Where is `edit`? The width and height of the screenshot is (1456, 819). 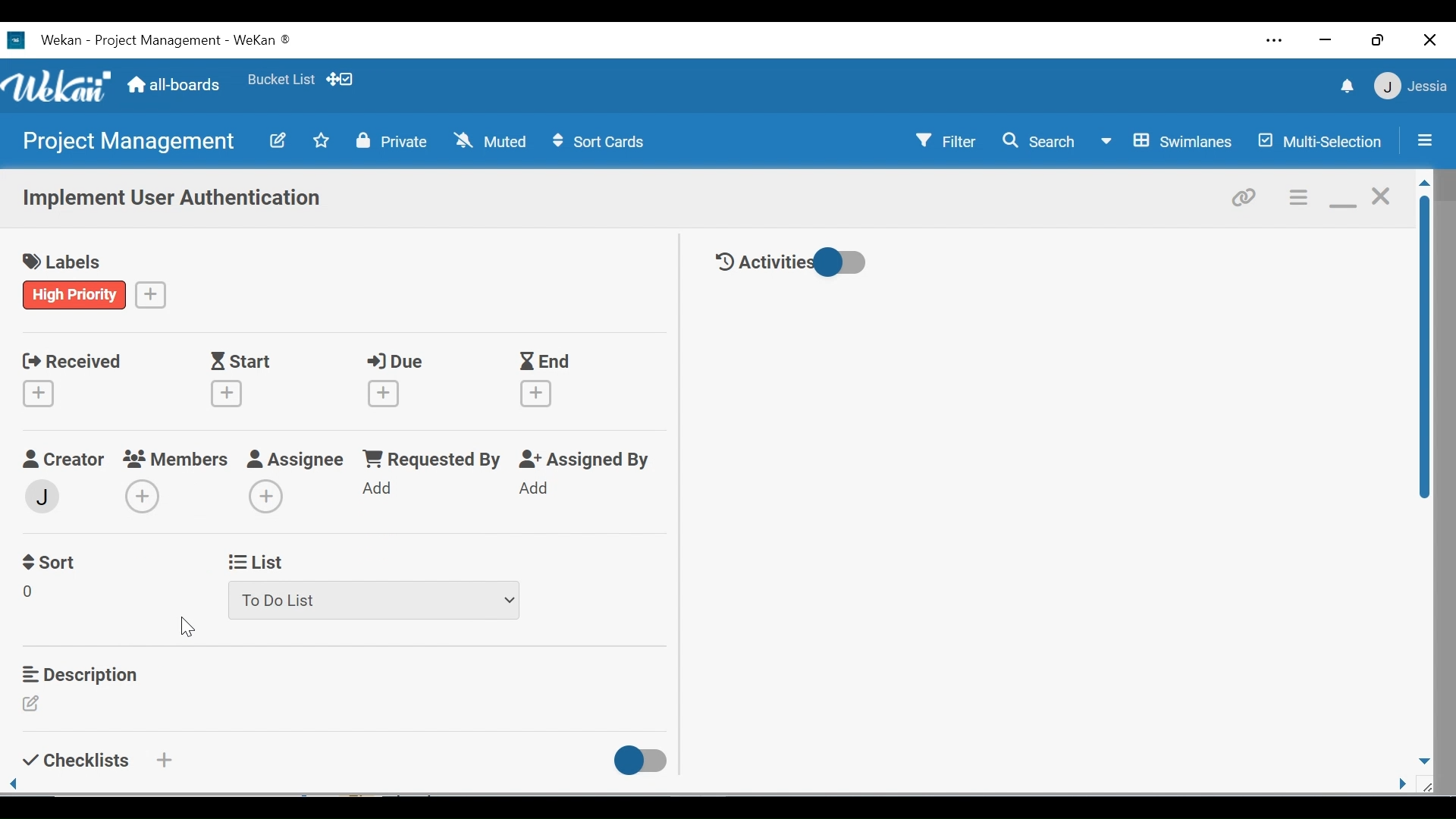
edit is located at coordinates (277, 140).